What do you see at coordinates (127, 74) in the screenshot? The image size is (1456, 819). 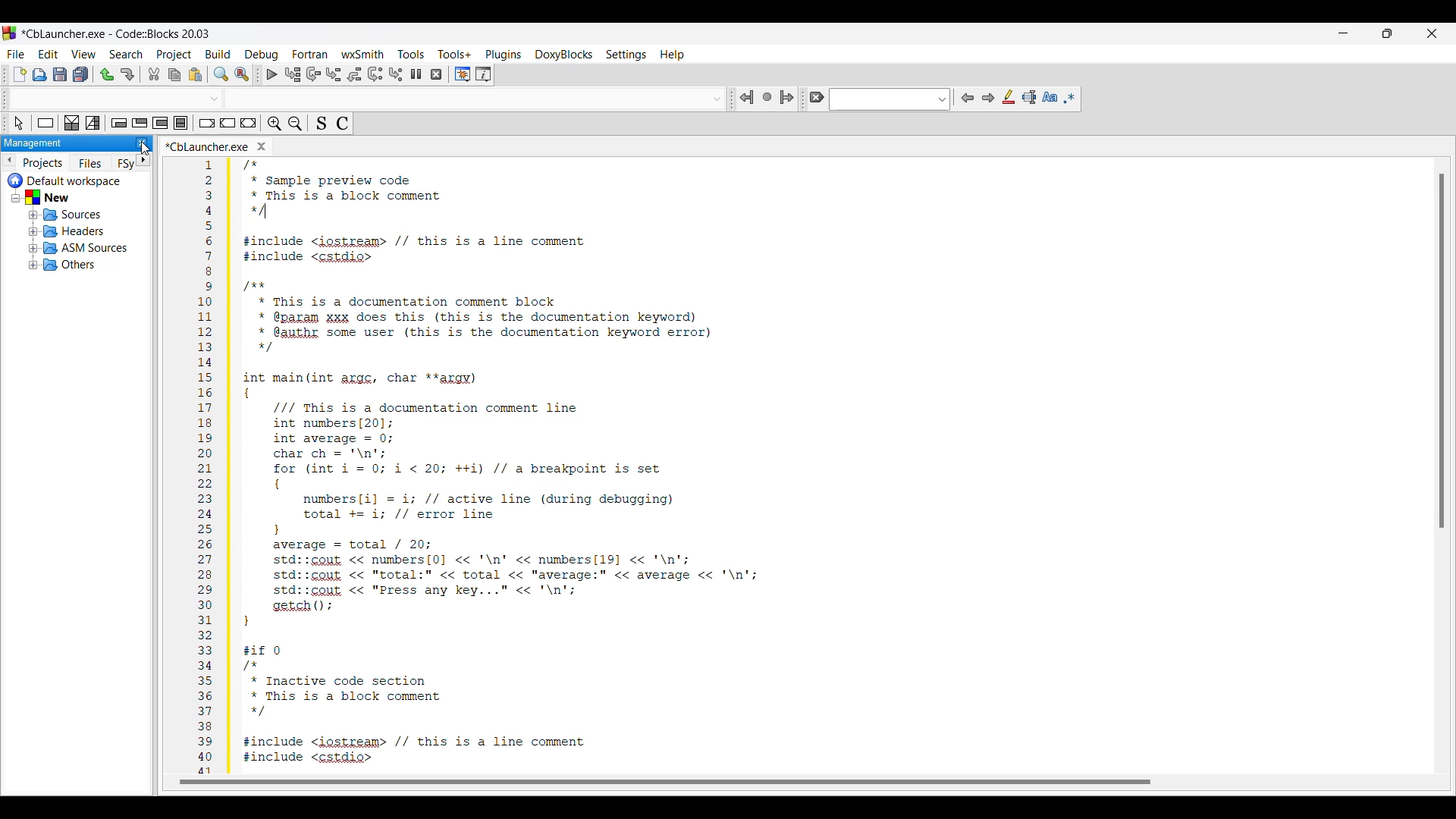 I see `Redo` at bounding box center [127, 74].